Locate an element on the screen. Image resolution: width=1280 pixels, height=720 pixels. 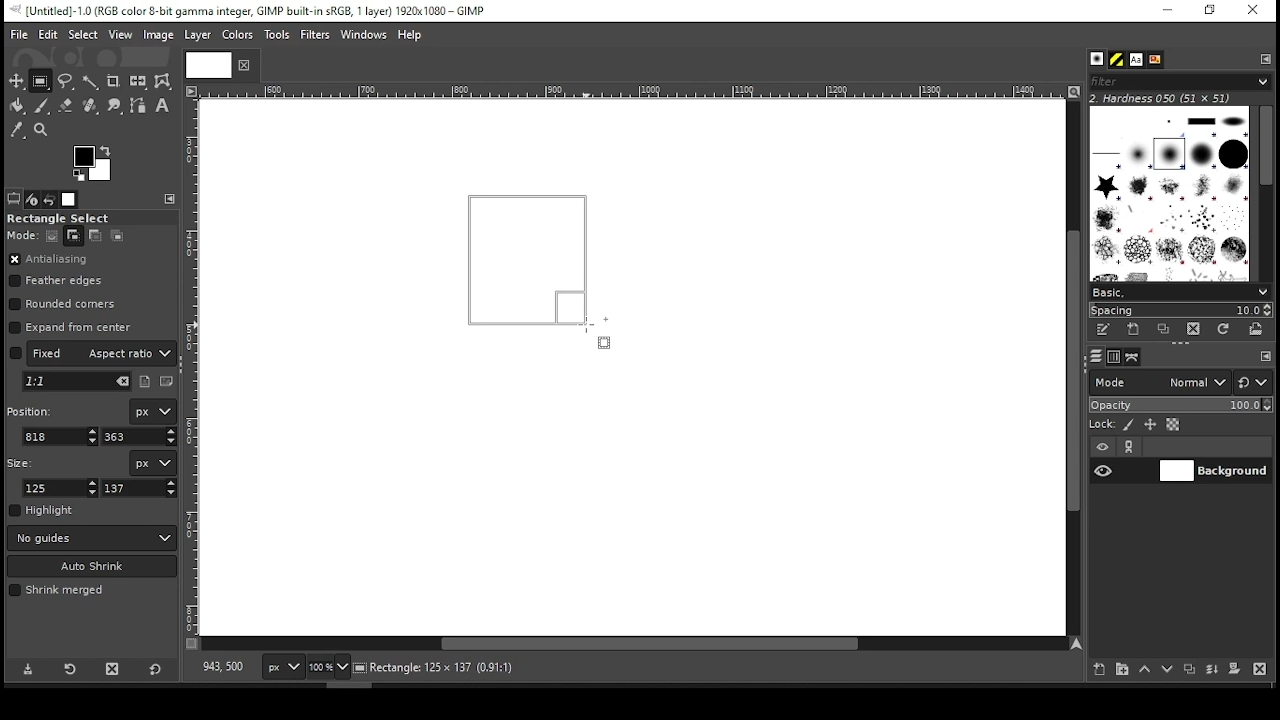
guides is located at coordinates (92, 538).